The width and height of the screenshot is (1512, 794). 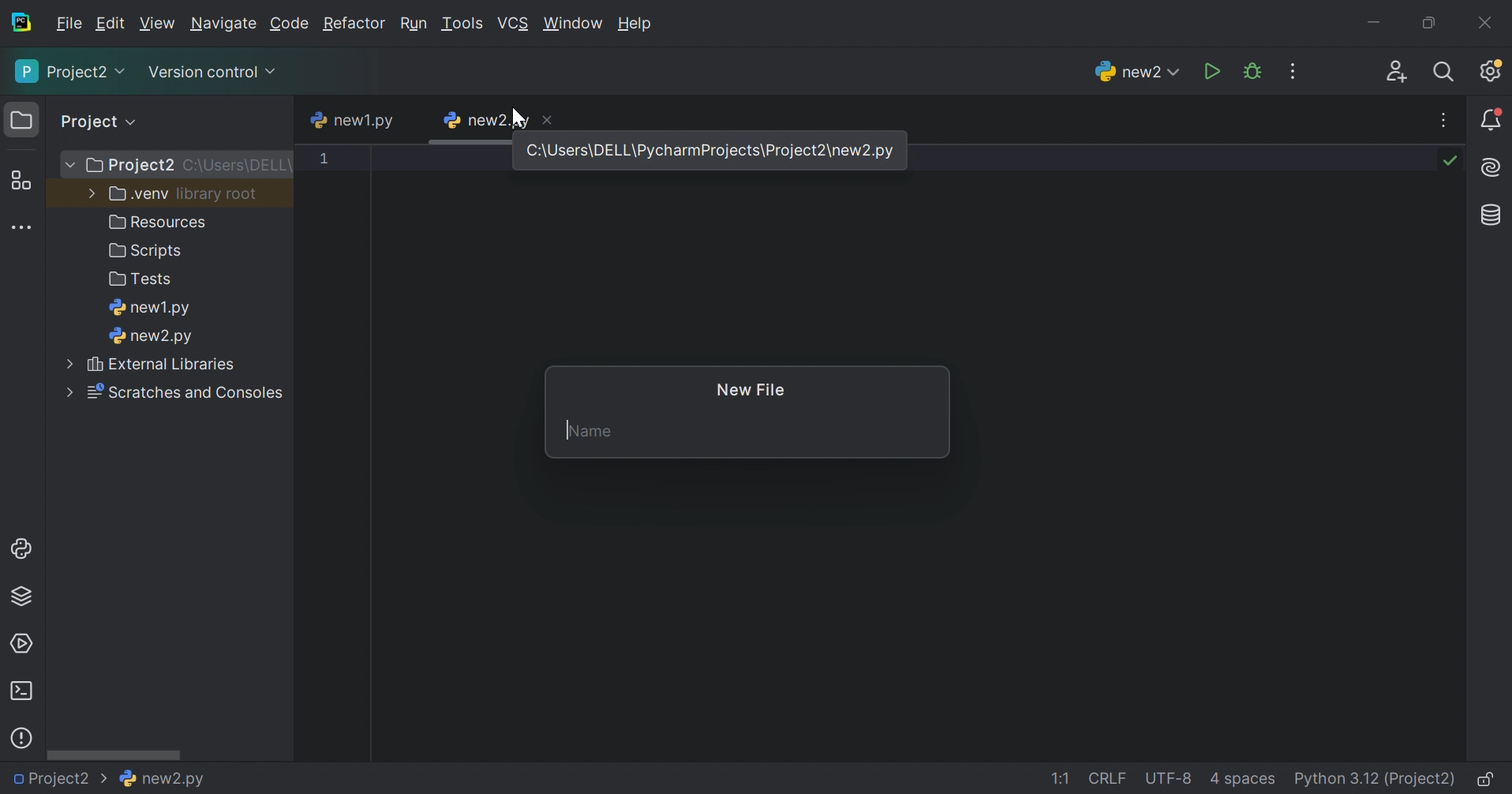 What do you see at coordinates (1454, 160) in the screenshot?
I see `No problems` at bounding box center [1454, 160].